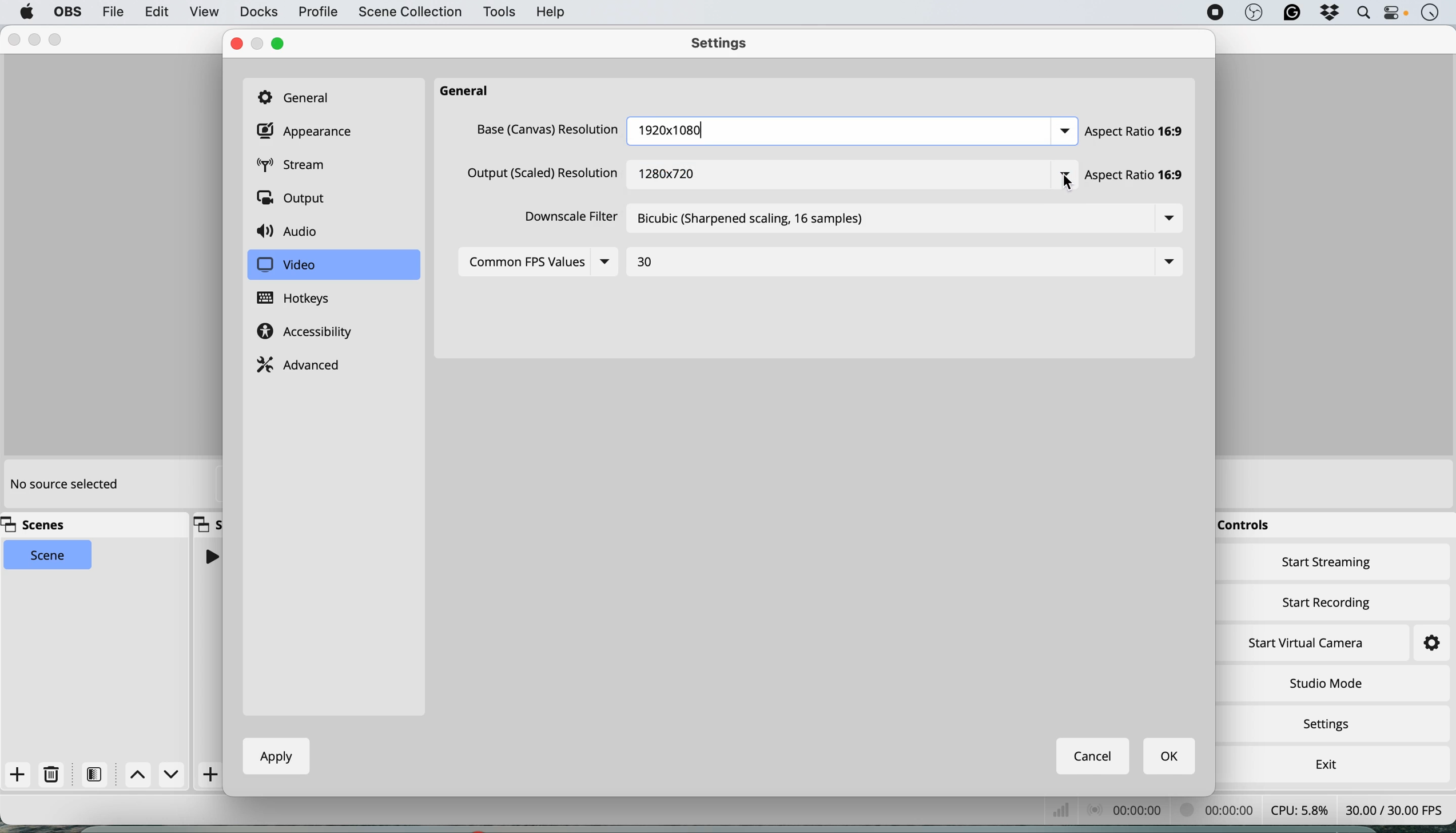  I want to click on list, so click(611, 263).